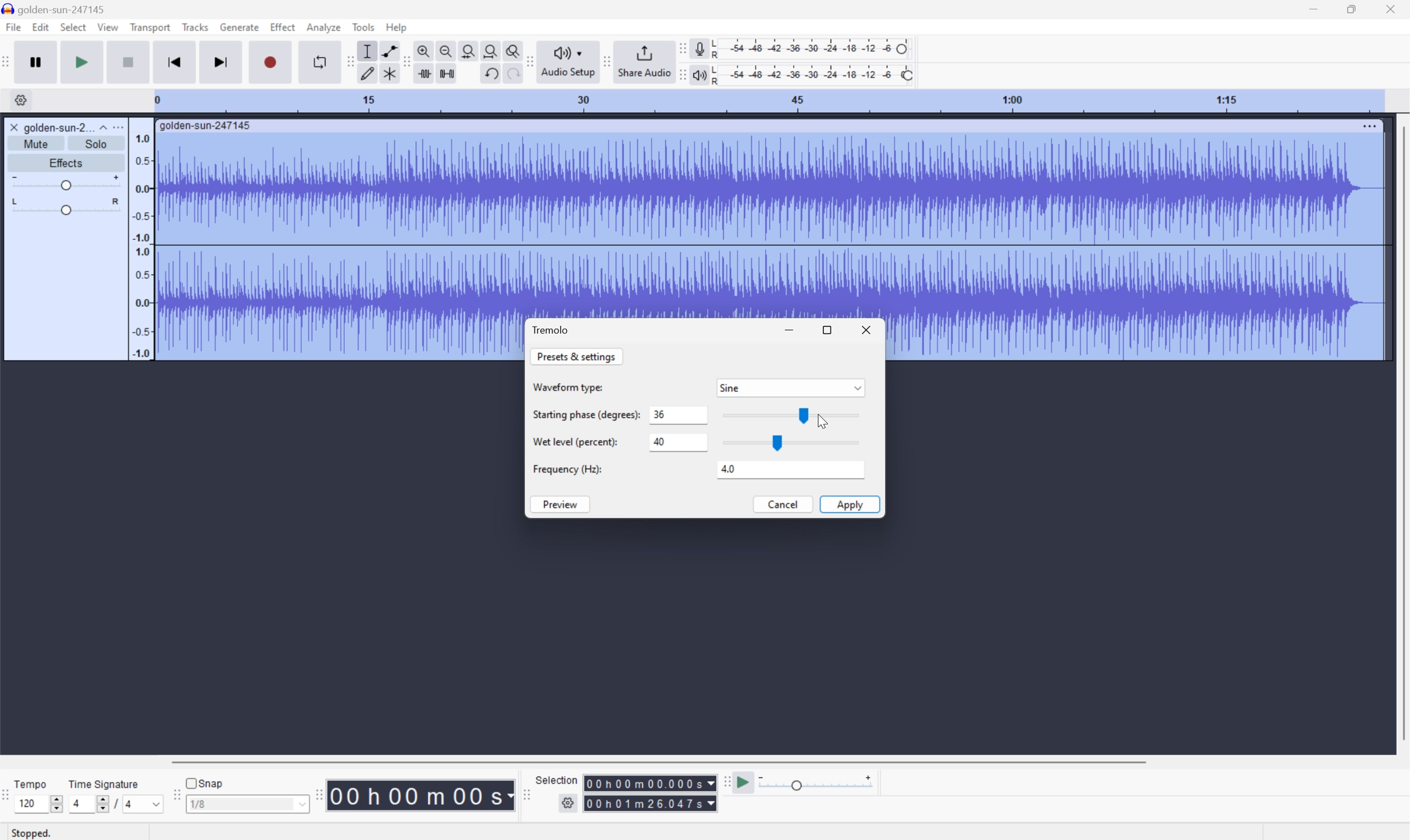 The height and width of the screenshot is (840, 1410). What do you see at coordinates (866, 328) in the screenshot?
I see `Close` at bounding box center [866, 328].